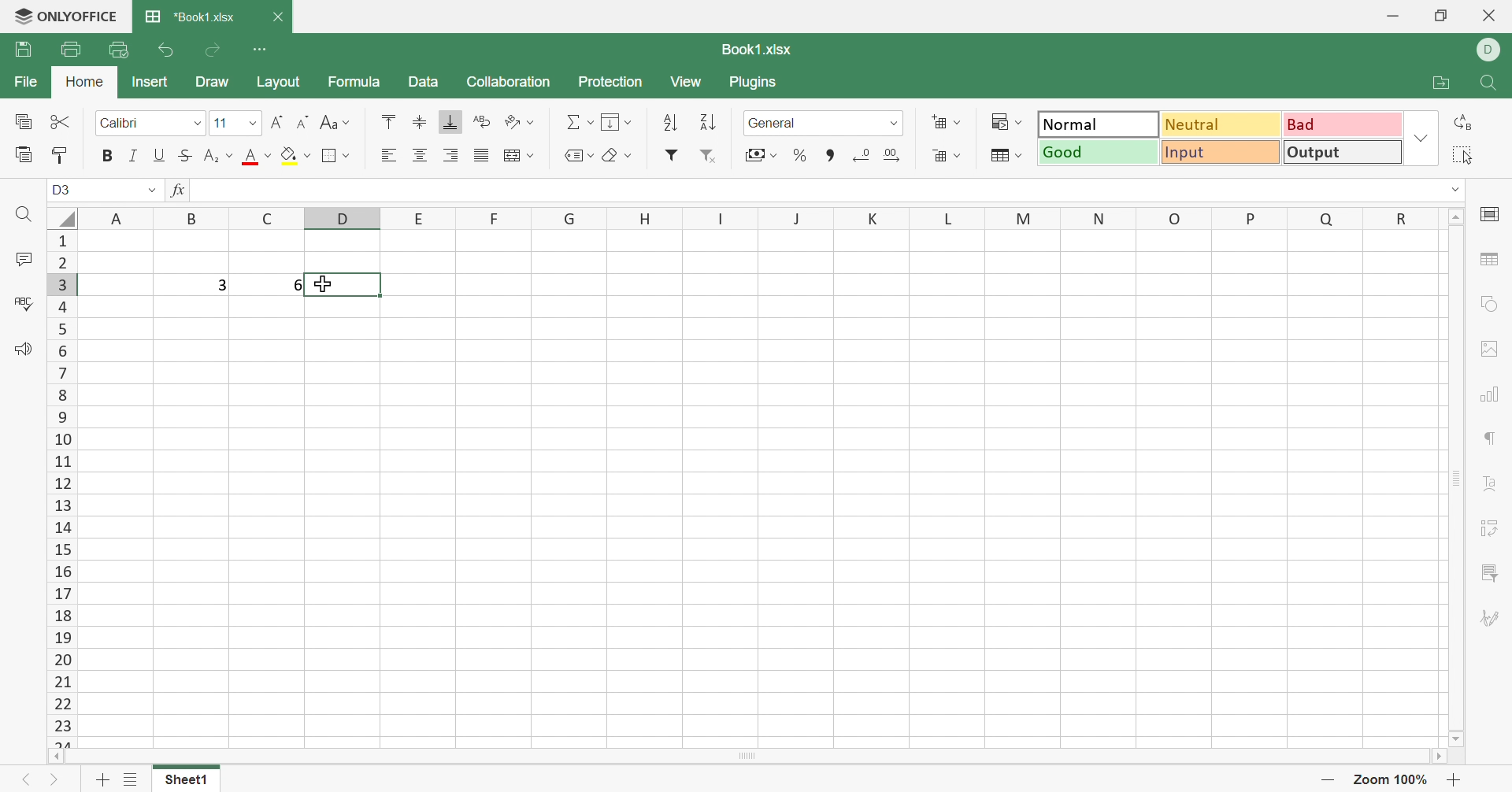  What do you see at coordinates (423, 154) in the screenshot?
I see `Align center` at bounding box center [423, 154].